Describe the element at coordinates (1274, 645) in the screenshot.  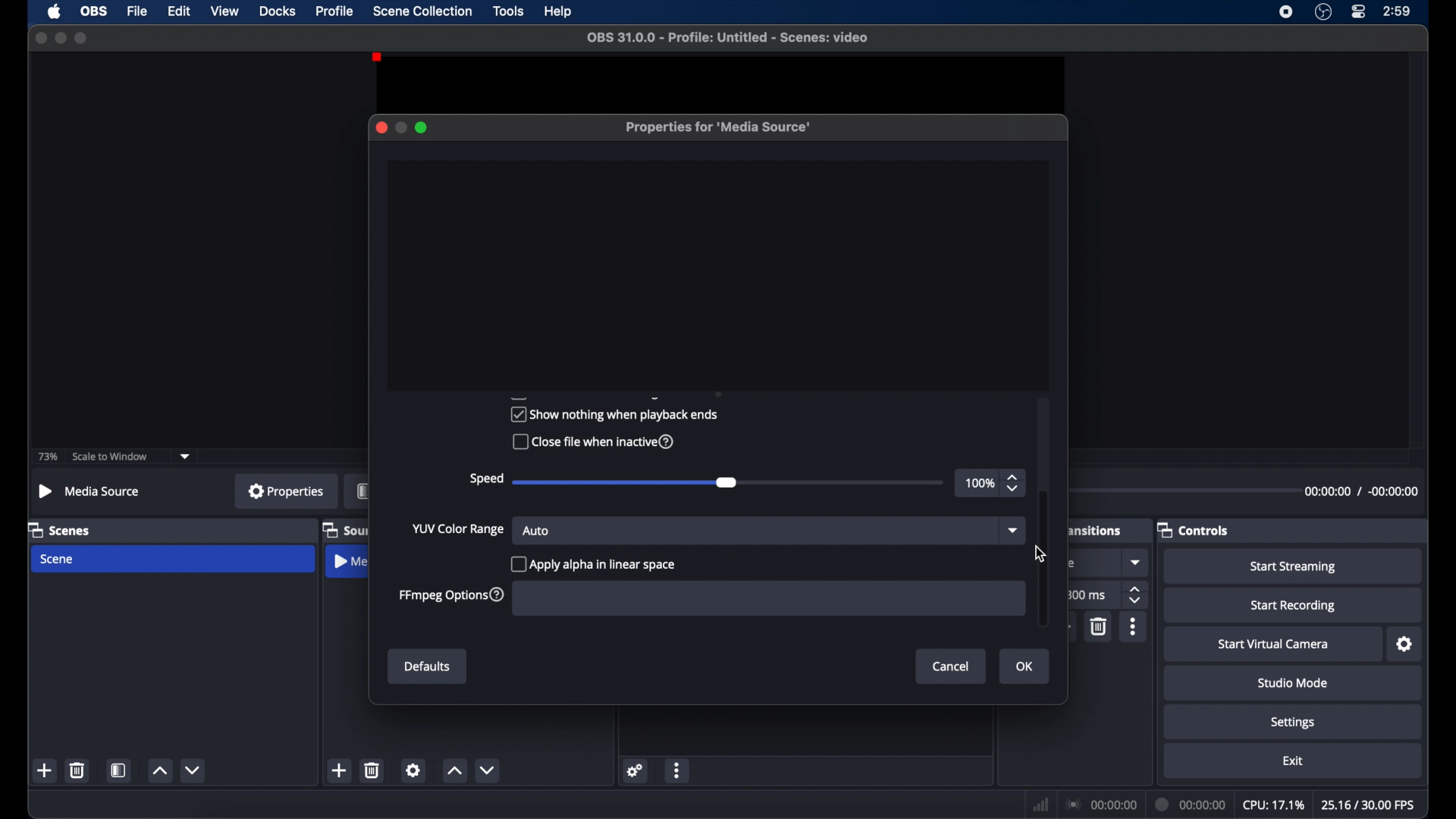
I see `start virtual camera` at that location.